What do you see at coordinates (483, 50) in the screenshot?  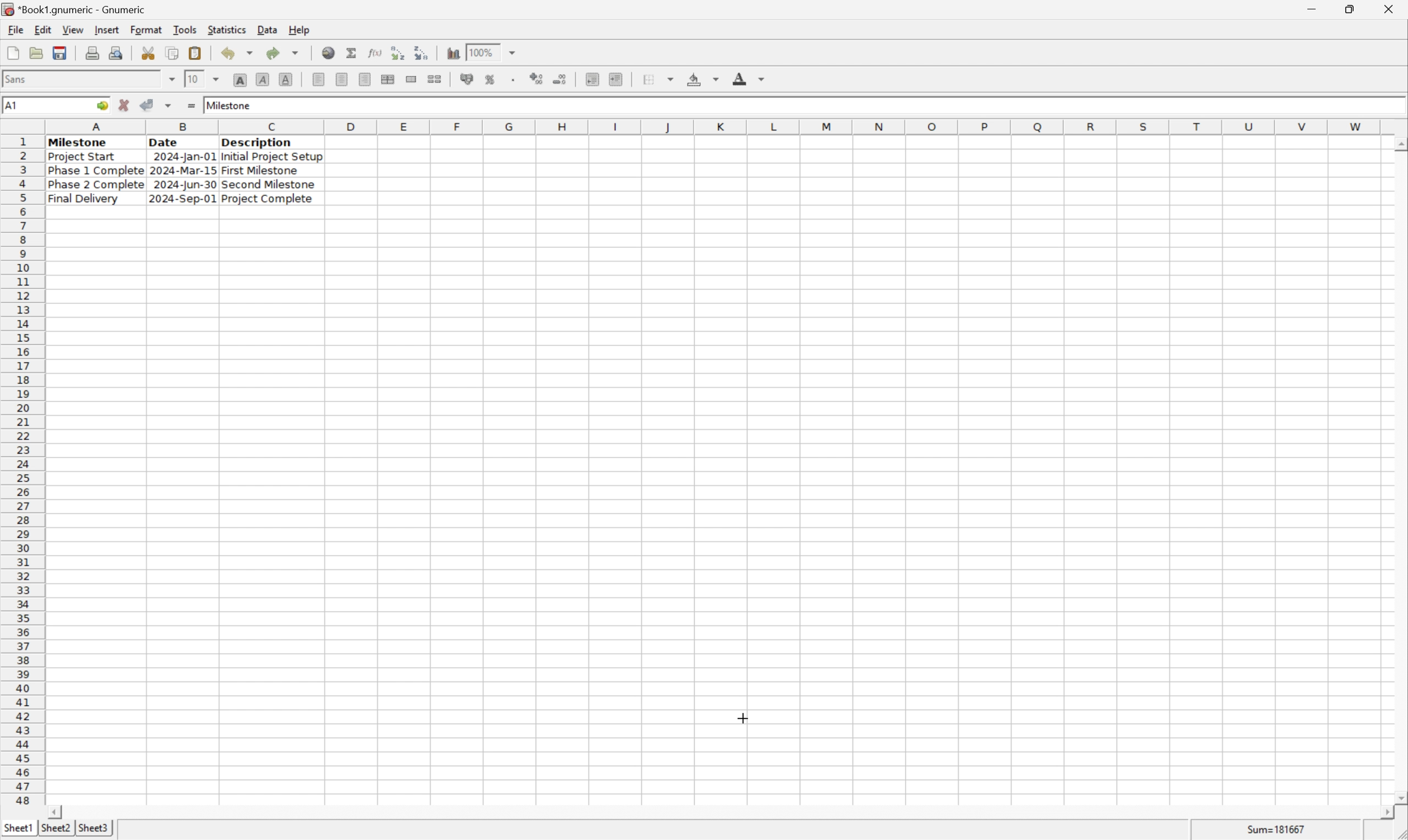 I see `100%` at bounding box center [483, 50].